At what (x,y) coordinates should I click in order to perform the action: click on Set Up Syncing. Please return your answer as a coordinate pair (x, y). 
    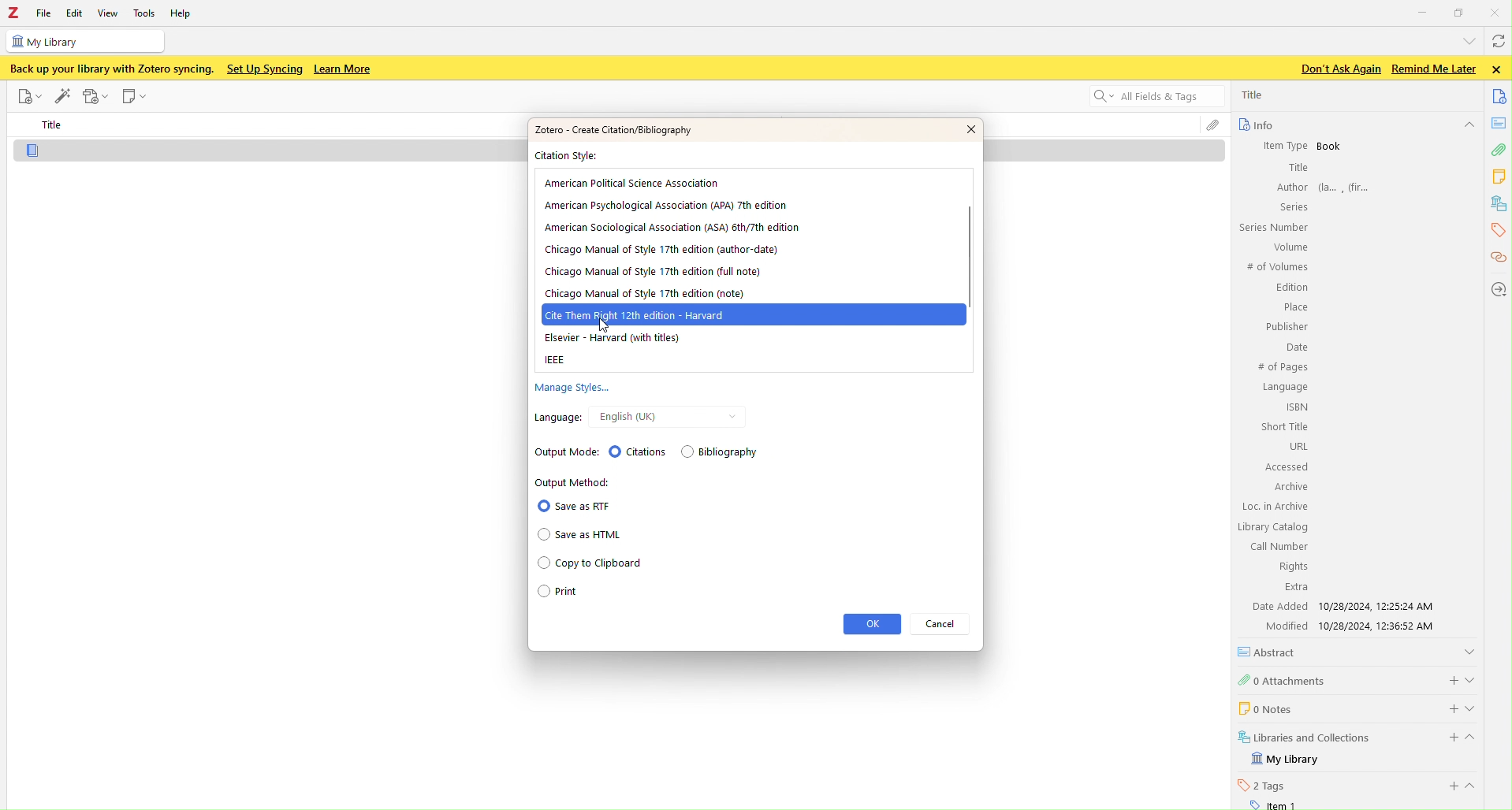
    Looking at the image, I should click on (263, 69).